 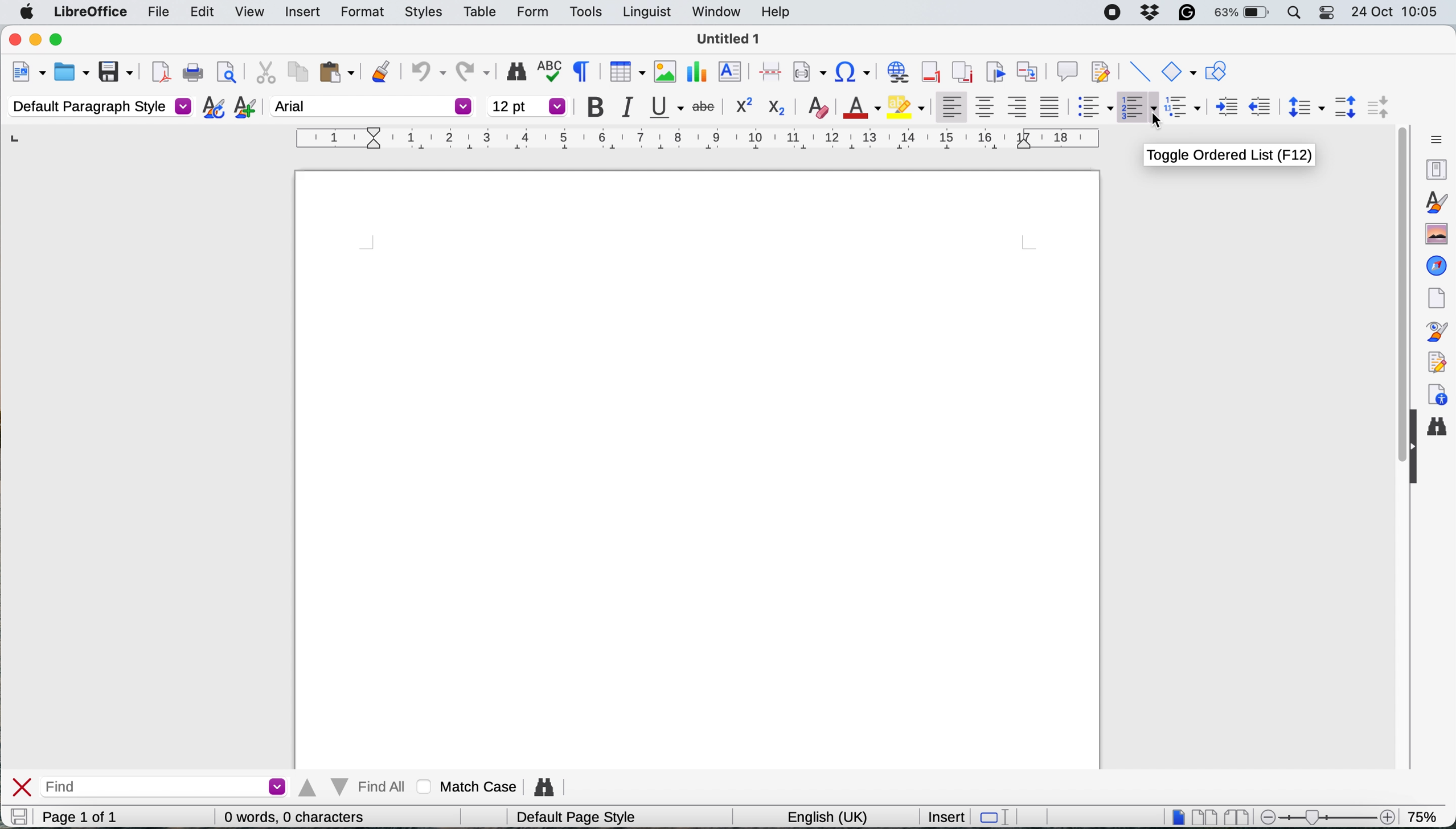 What do you see at coordinates (1067, 69) in the screenshot?
I see `insert comment` at bounding box center [1067, 69].